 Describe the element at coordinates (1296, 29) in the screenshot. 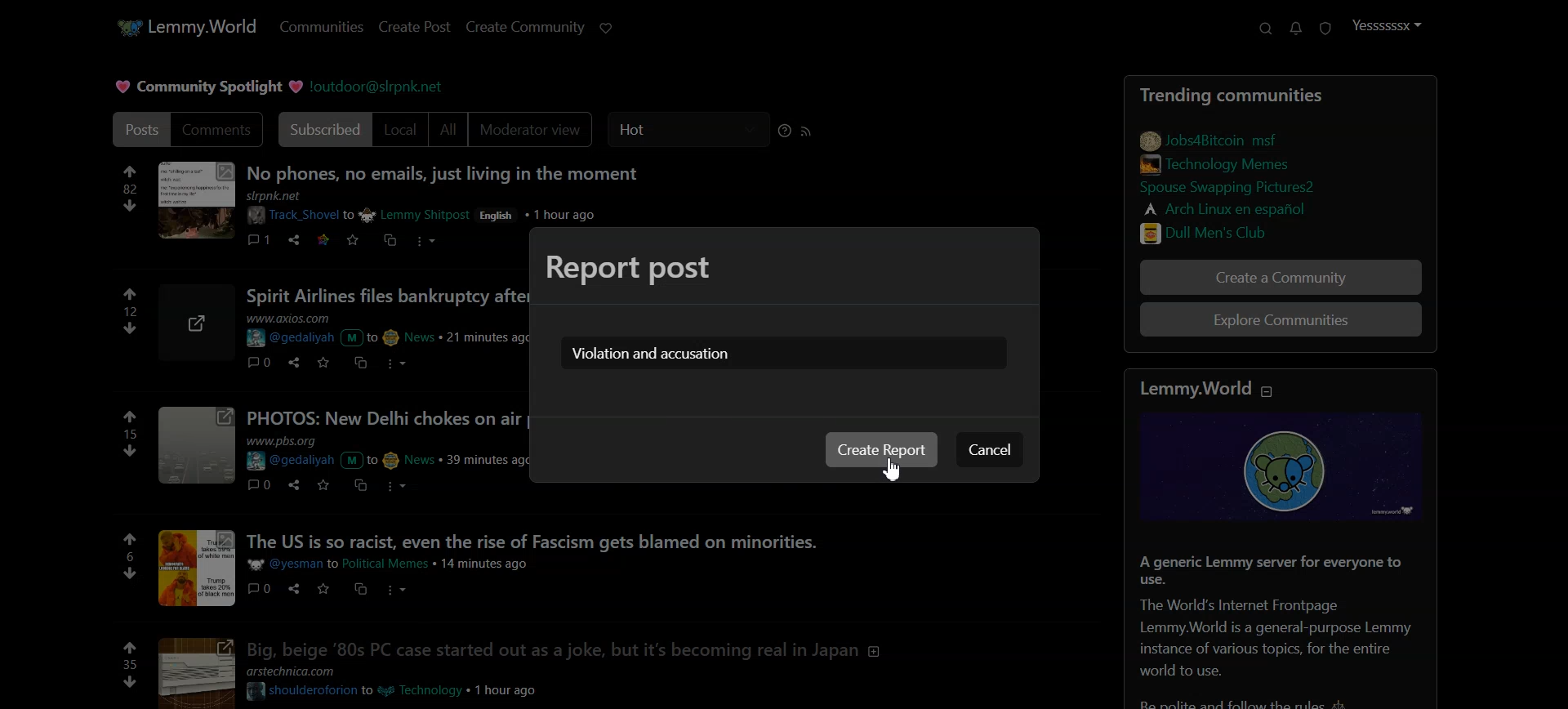

I see `Unread Message` at that location.